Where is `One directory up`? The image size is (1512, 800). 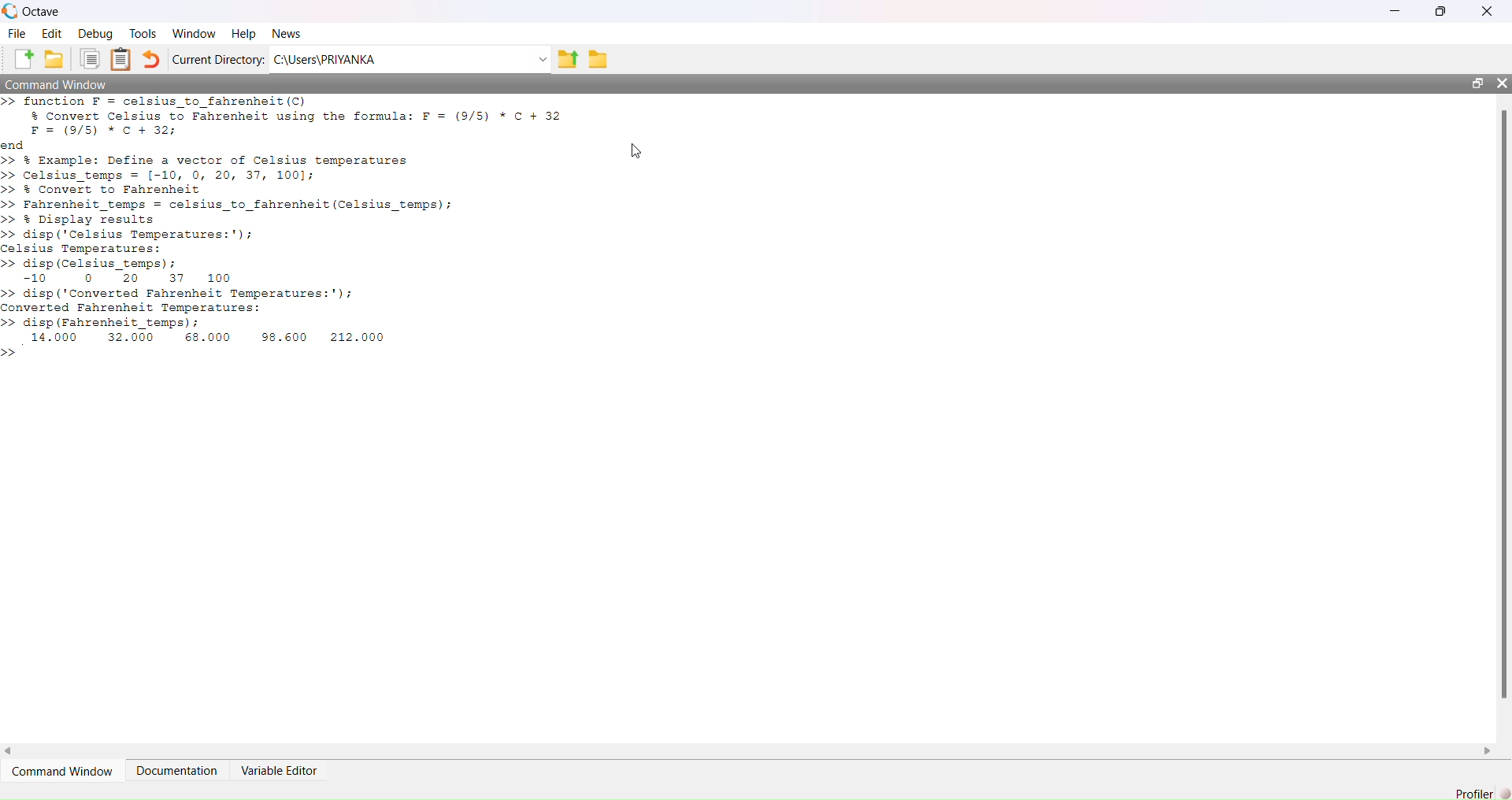 One directory up is located at coordinates (565, 60).